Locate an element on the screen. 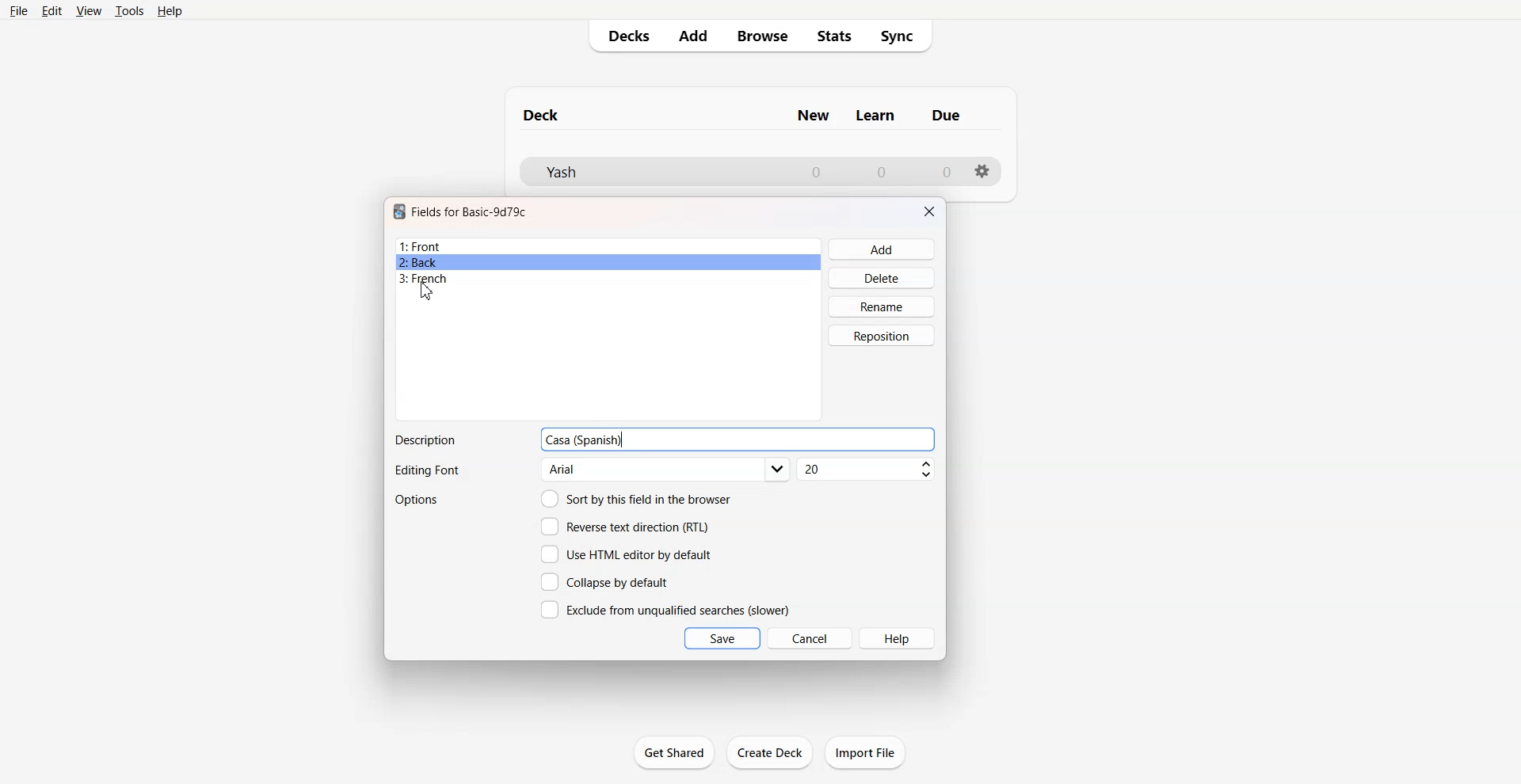  Back is located at coordinates (608, 262).